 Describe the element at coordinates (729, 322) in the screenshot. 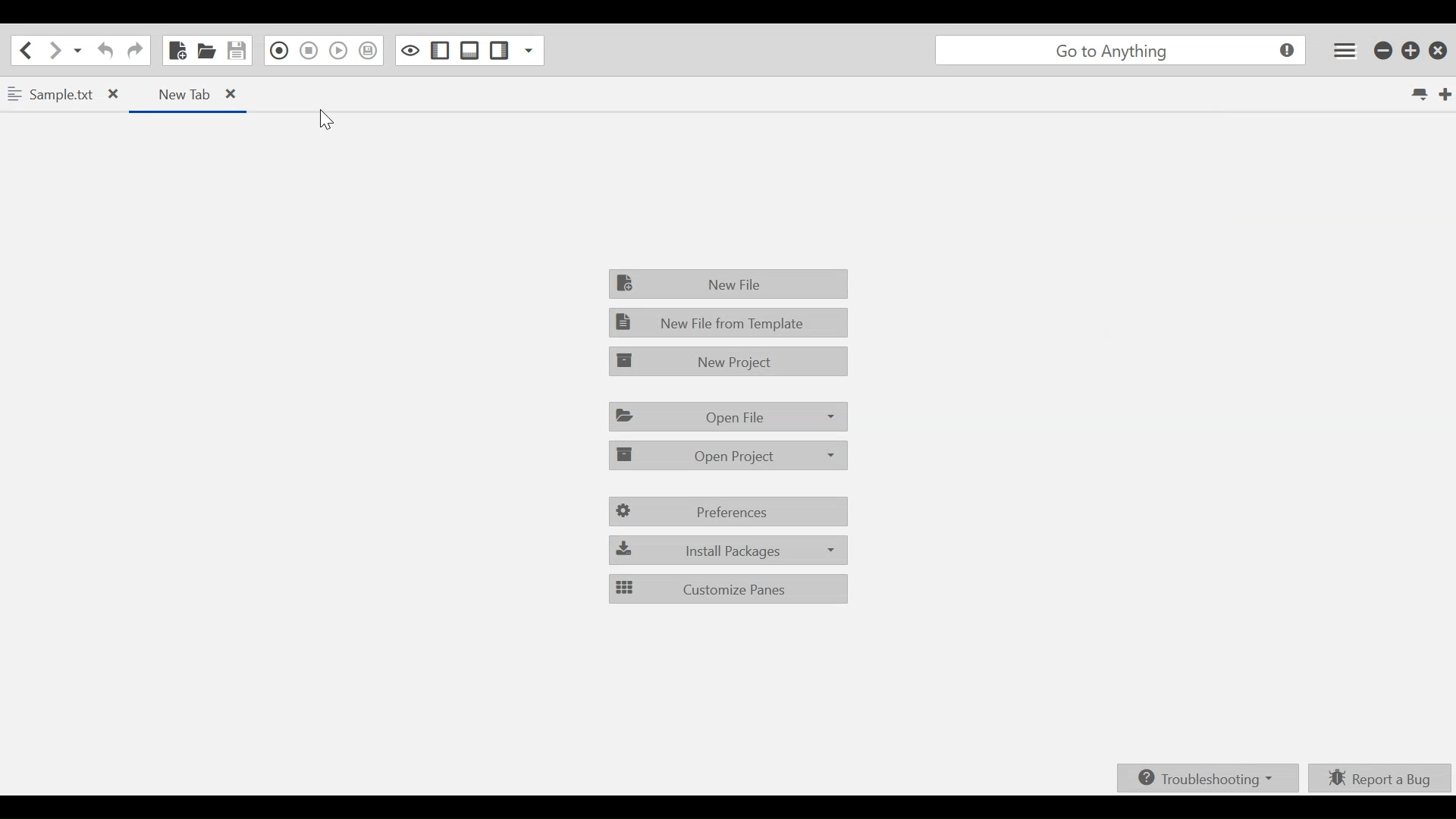

I see `New File from Template` at that location.